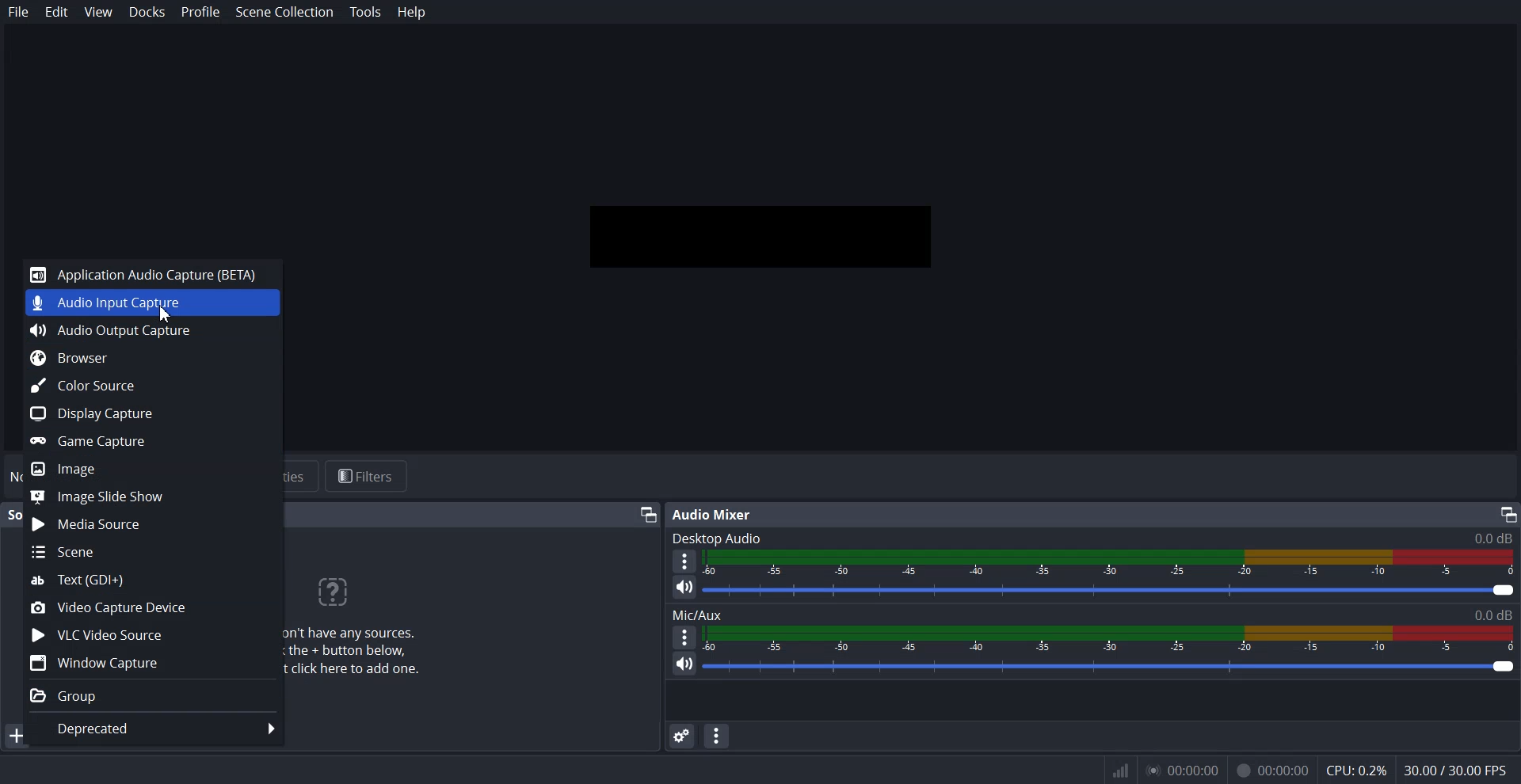 The image size is (1521, 784). I want to click on Text 1, so click(360, 628).